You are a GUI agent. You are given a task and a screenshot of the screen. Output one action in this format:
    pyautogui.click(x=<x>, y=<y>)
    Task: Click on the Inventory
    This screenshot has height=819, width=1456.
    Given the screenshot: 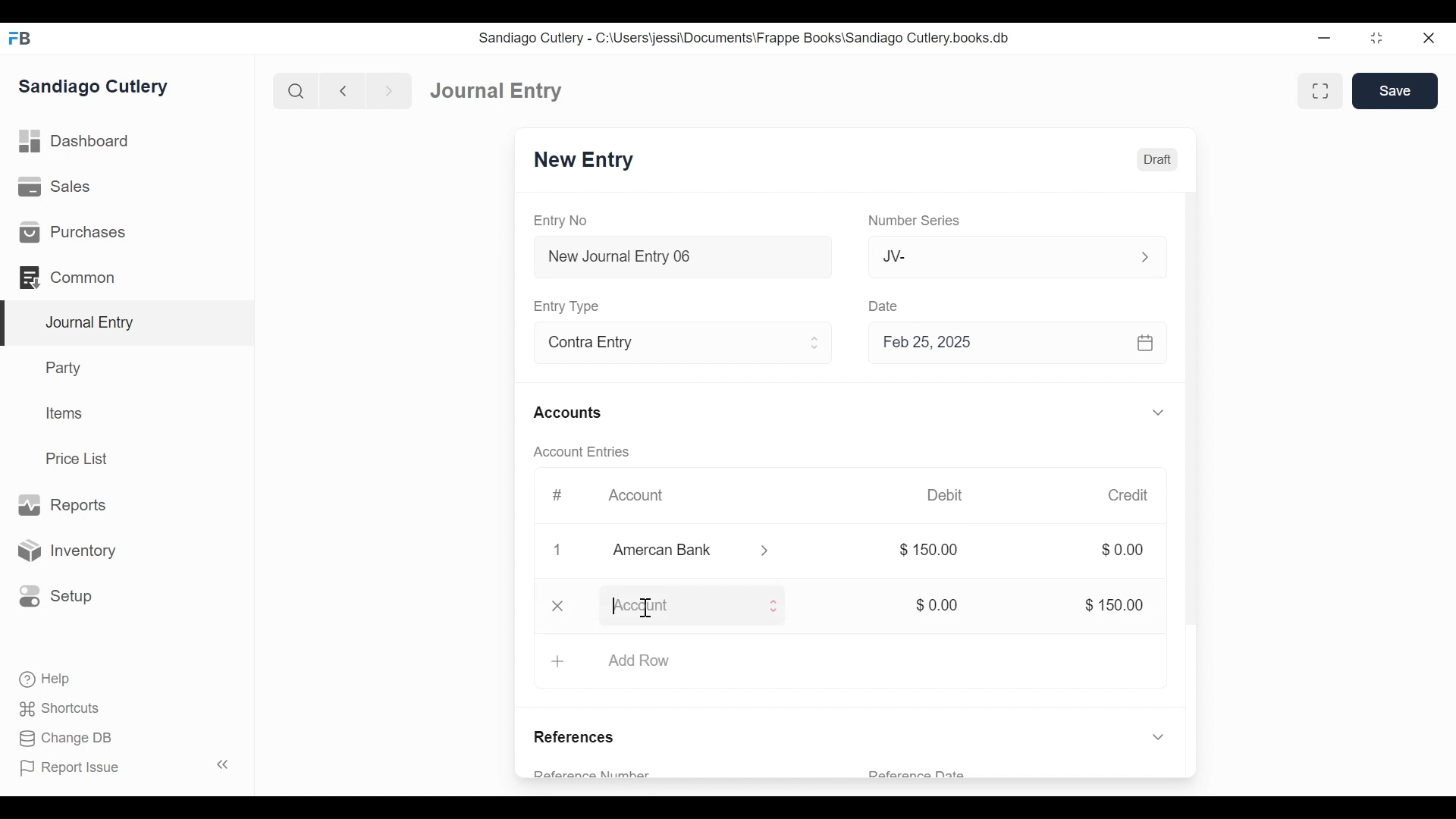 What is the action you would take?
    pyautogui.click(x=64, y=551)
    